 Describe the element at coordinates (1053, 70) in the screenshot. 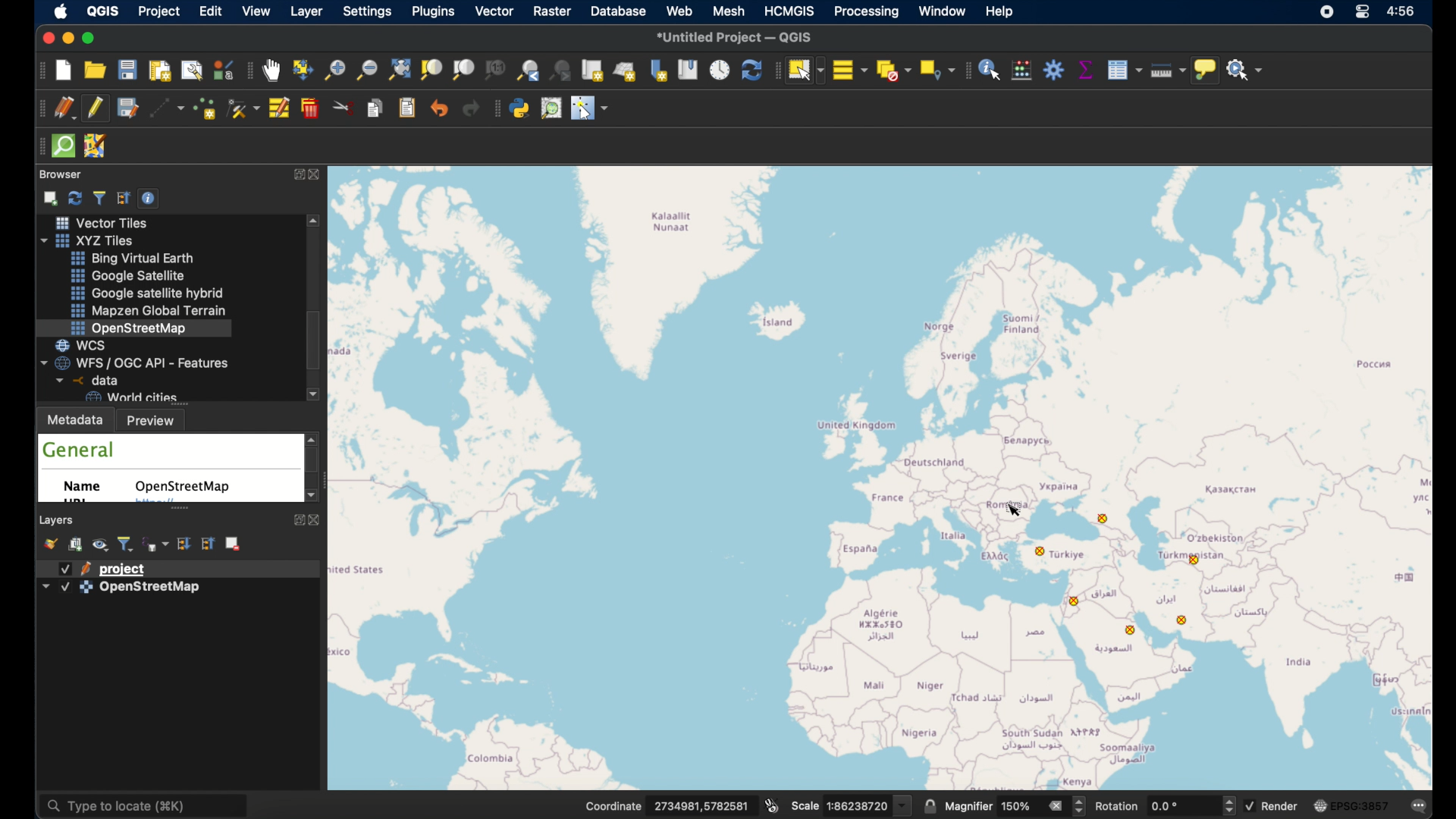

I see `toolbox` at that location.